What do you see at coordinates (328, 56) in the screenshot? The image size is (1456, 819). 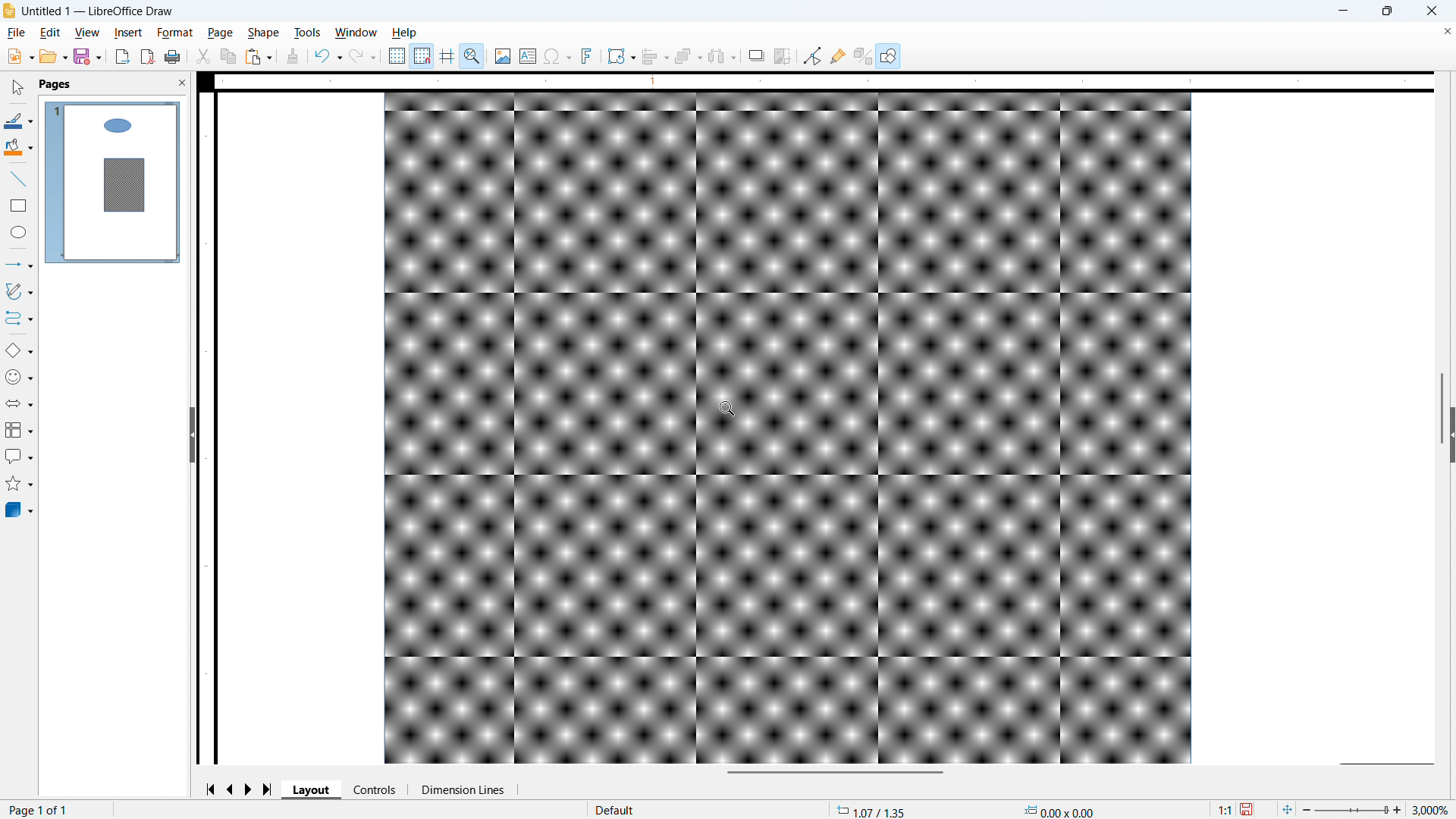 I see `Undo ` at bounding box center [328, 56].